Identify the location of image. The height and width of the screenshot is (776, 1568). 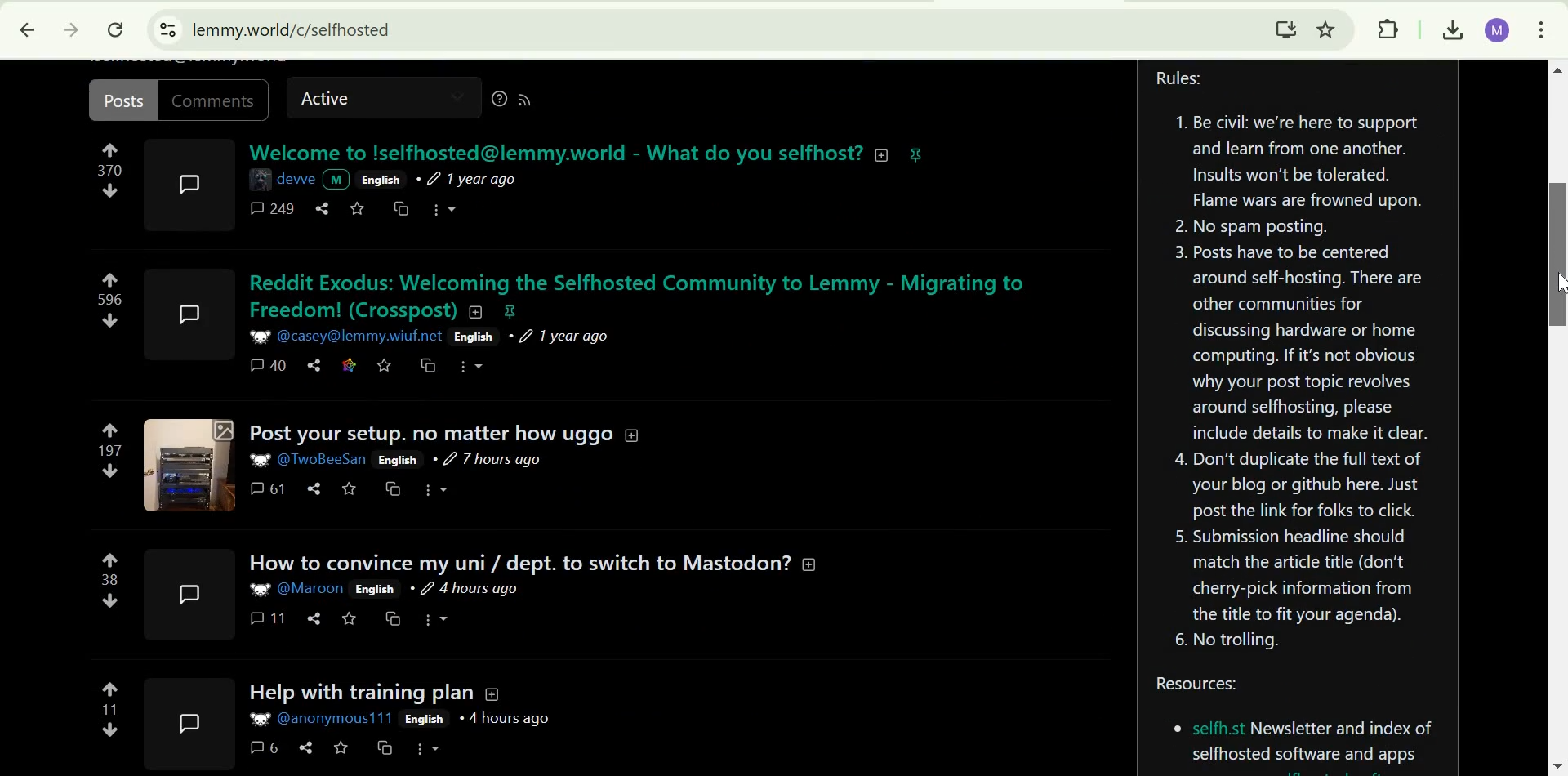
(257, 720).